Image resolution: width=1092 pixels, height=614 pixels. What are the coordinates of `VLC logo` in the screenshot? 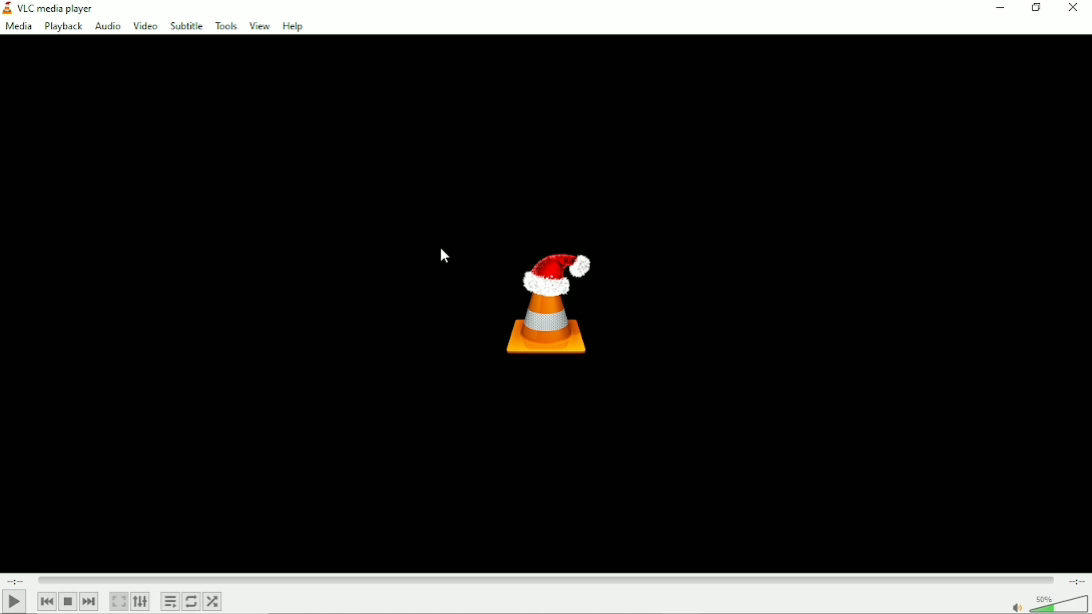 It's located at (7, 7).